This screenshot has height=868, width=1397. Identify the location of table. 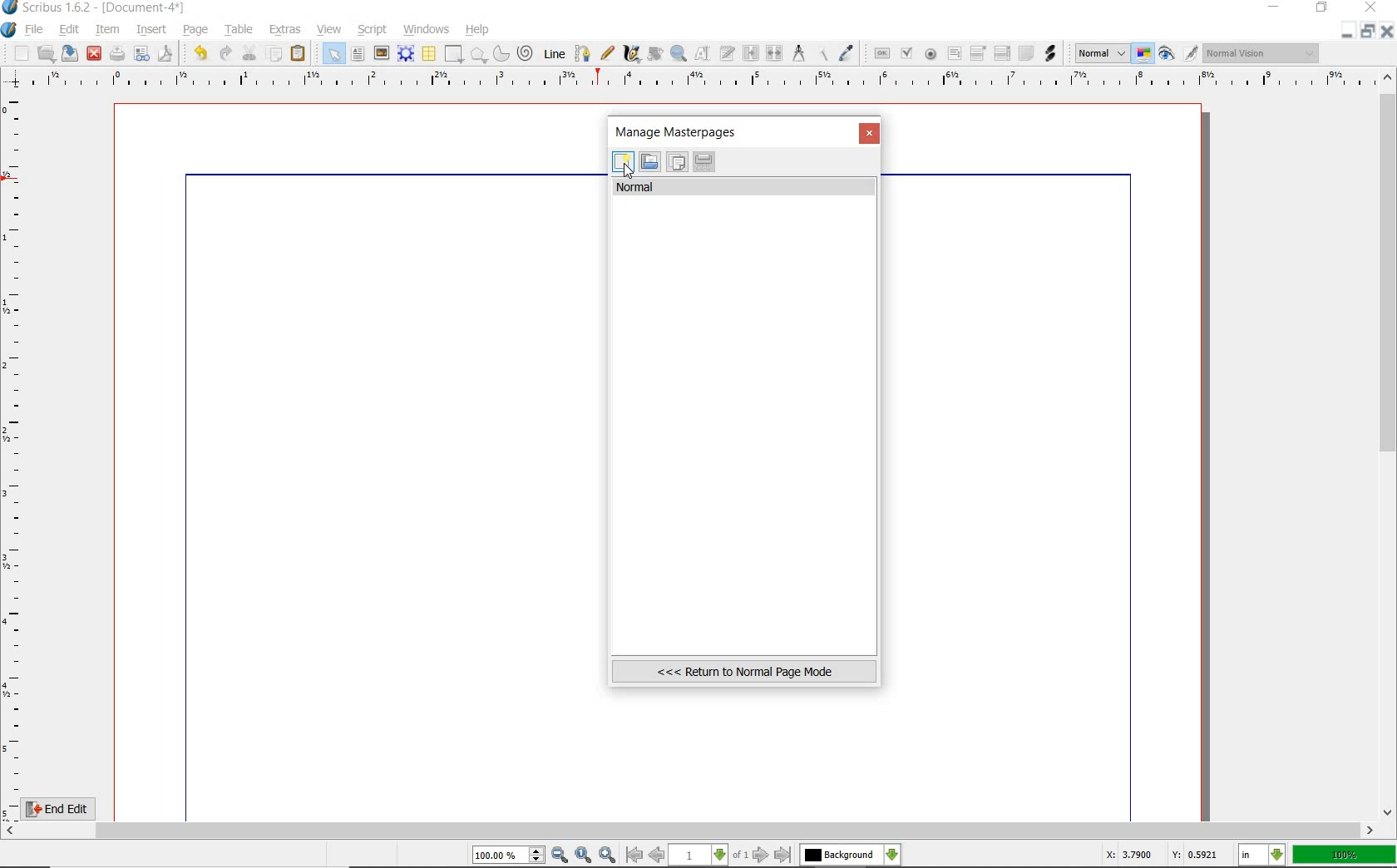
(236, 29).